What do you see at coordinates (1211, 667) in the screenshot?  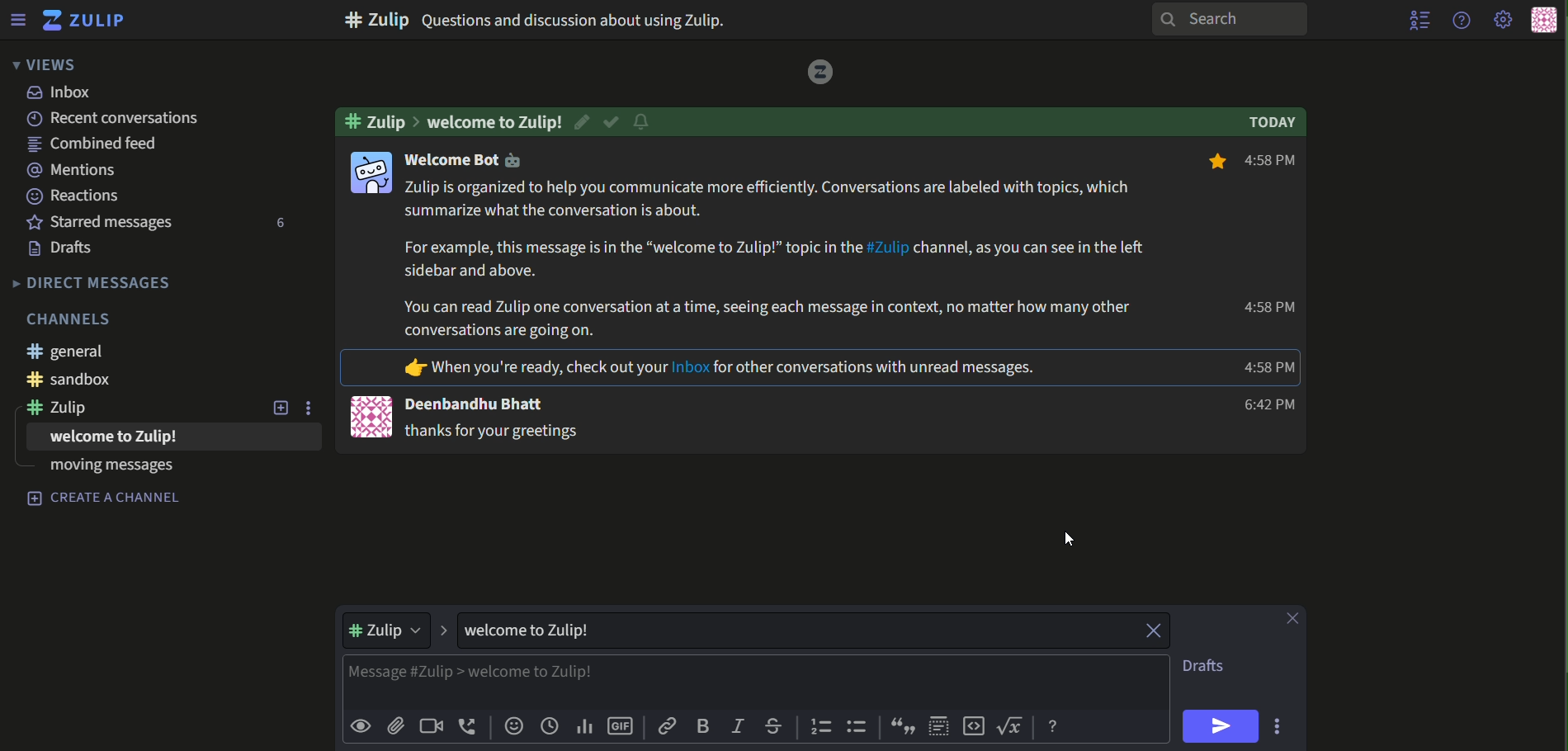 I see `text` at bounding box center [1211, 667].